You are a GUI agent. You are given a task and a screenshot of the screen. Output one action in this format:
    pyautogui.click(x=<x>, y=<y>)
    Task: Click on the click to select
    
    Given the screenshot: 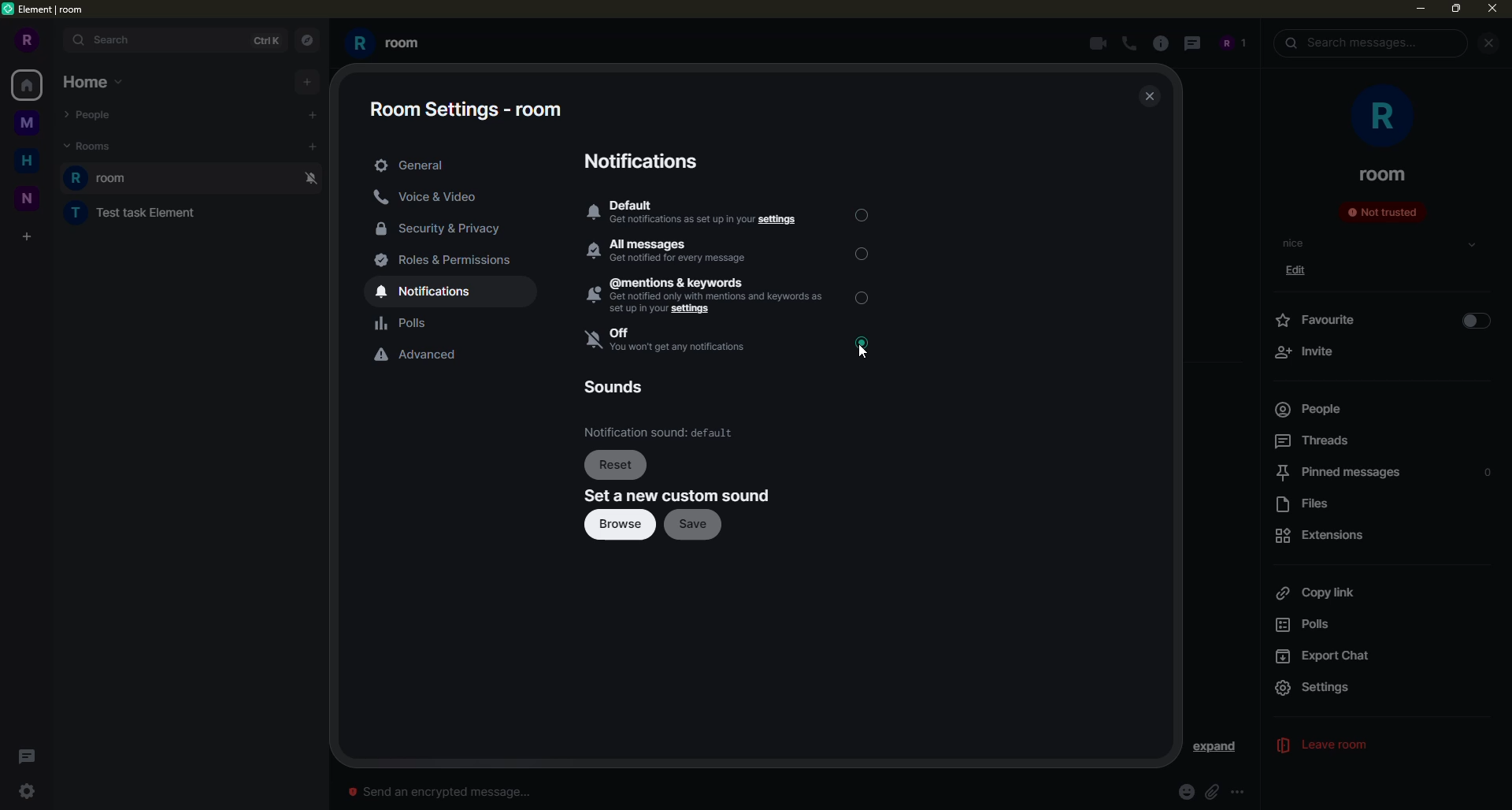 What is the action you would take?
    pyautogui.click(x=861, y=297)
    